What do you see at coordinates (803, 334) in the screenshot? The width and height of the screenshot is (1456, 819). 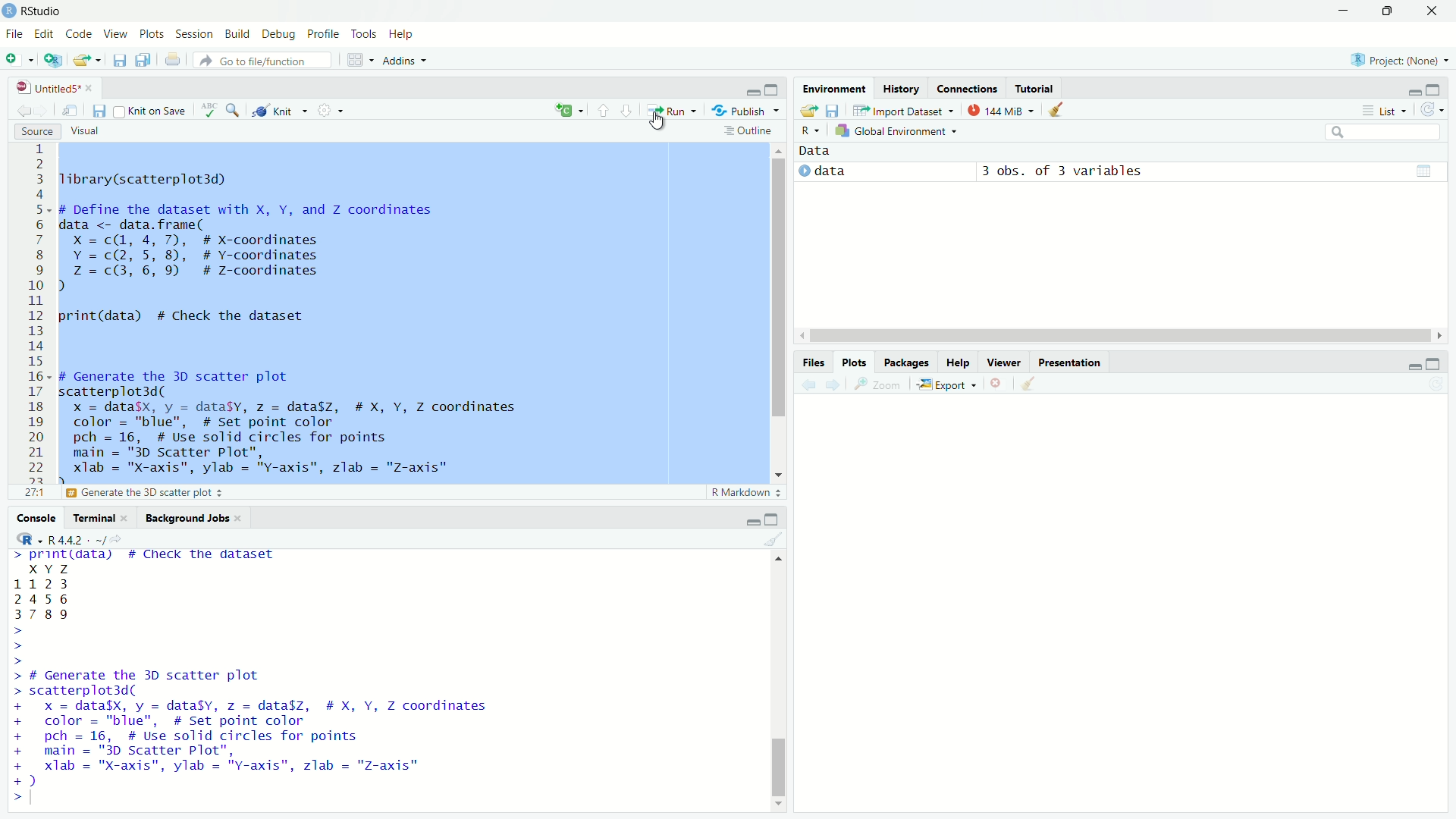 I see `move left` at bounding box center [803, 334].